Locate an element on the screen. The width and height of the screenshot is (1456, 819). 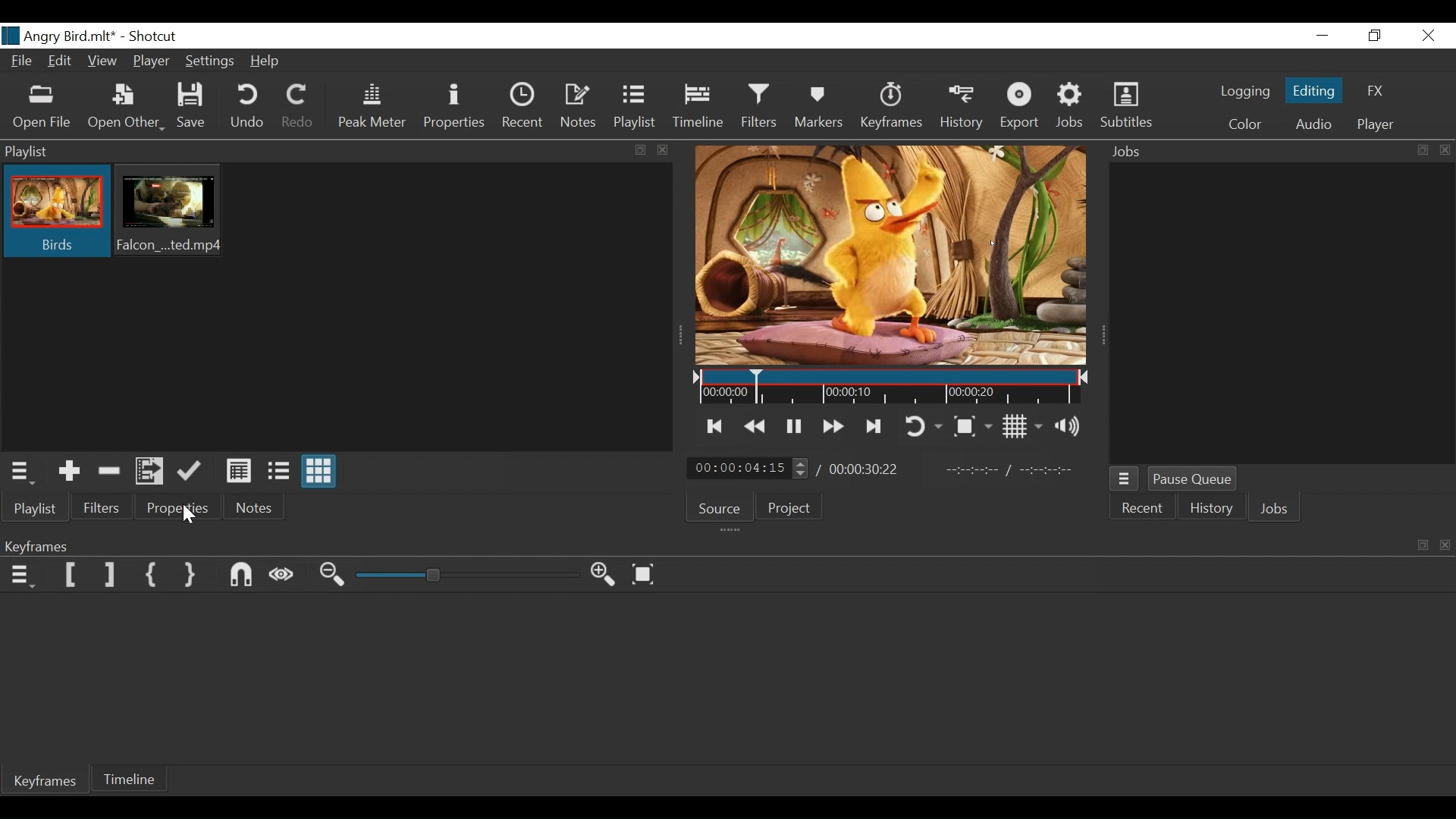
Toggle play or pause is located at coordinates (794, 426).